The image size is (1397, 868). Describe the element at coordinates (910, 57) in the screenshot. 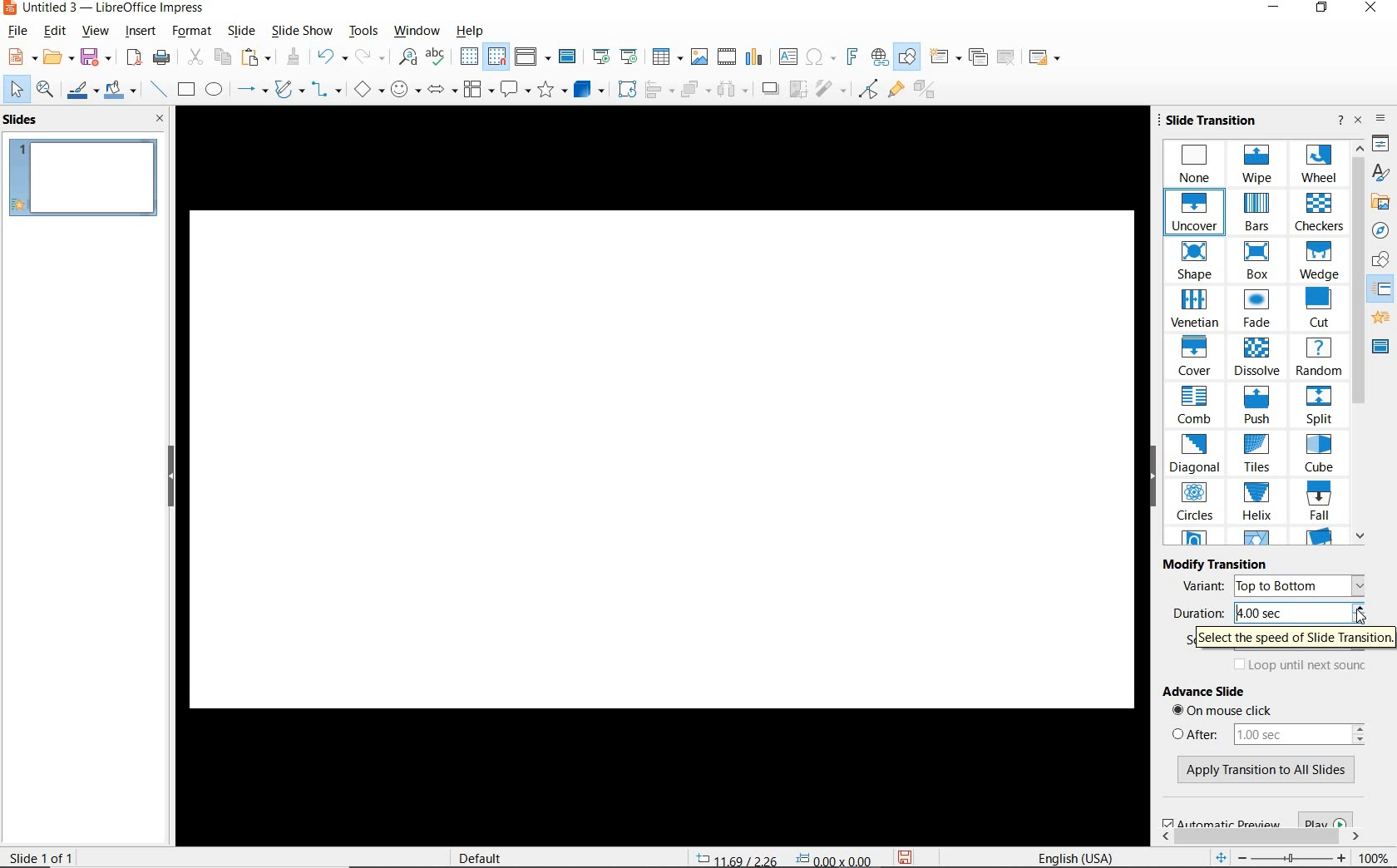

I see `SHOW DRAW FUNCTIONS` at that location.